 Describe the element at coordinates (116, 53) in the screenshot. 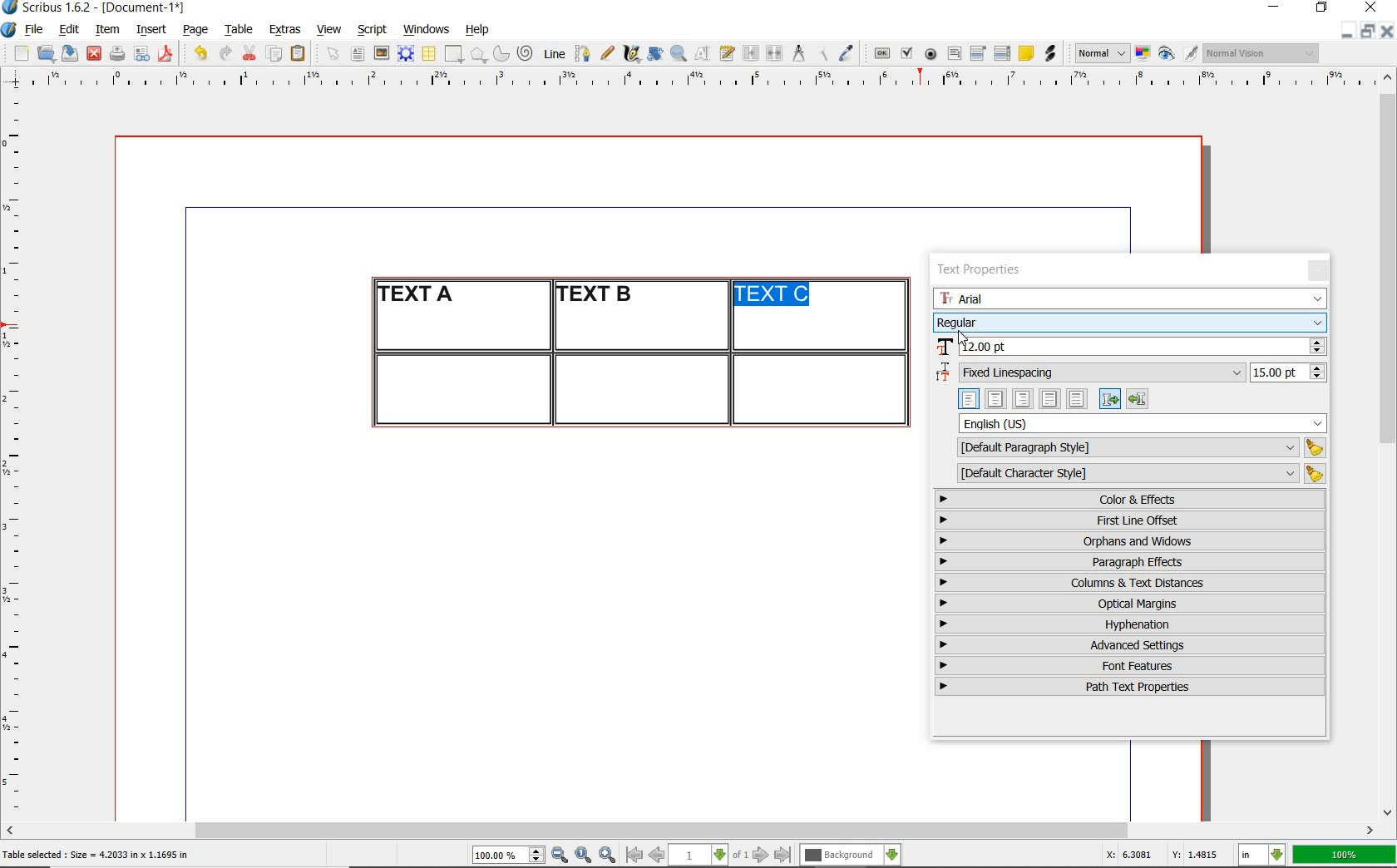

I see `print` at that location.